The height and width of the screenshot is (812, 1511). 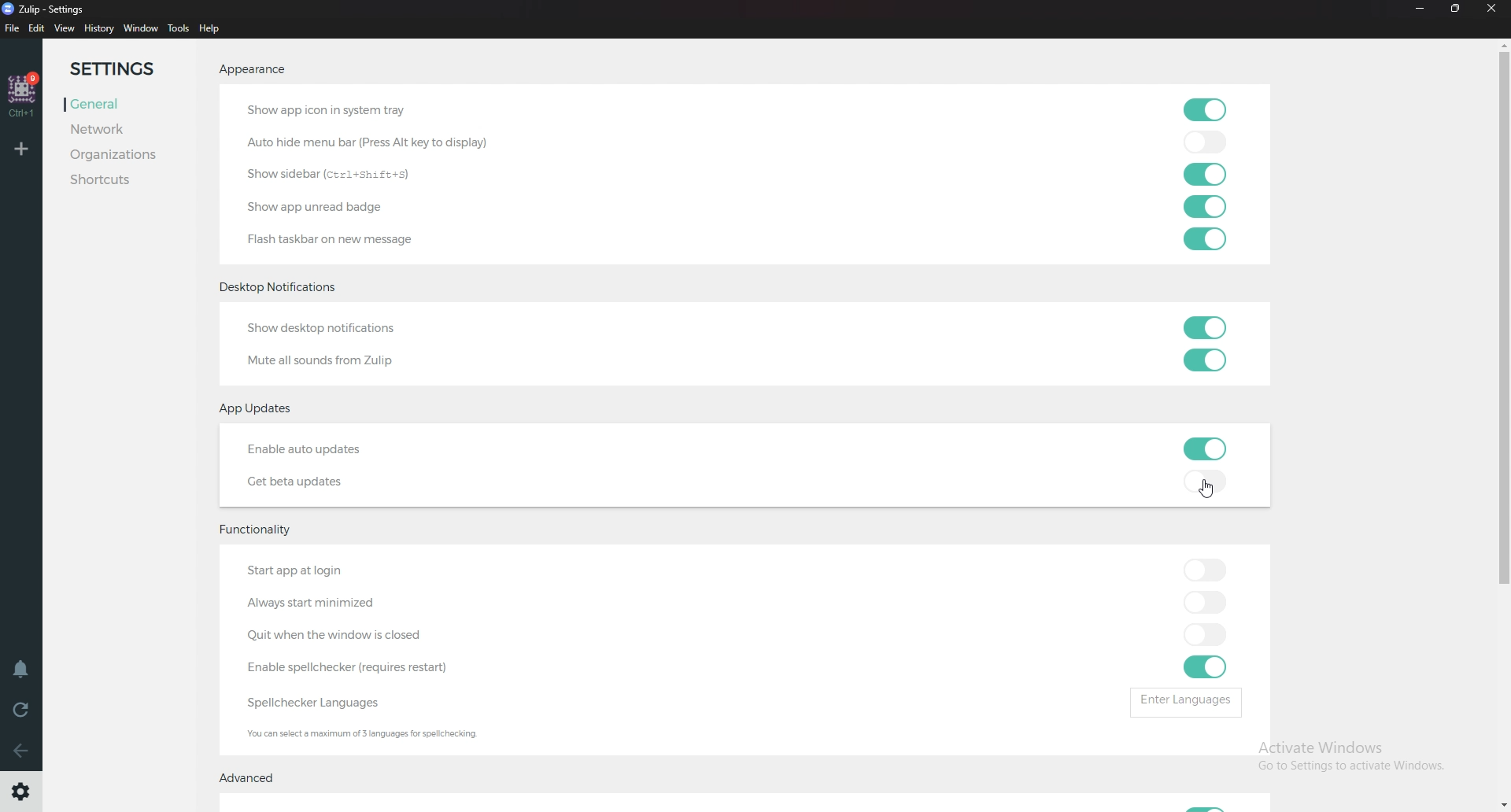 I want to click on Enable do not disturb, so click(x=20, y=667).